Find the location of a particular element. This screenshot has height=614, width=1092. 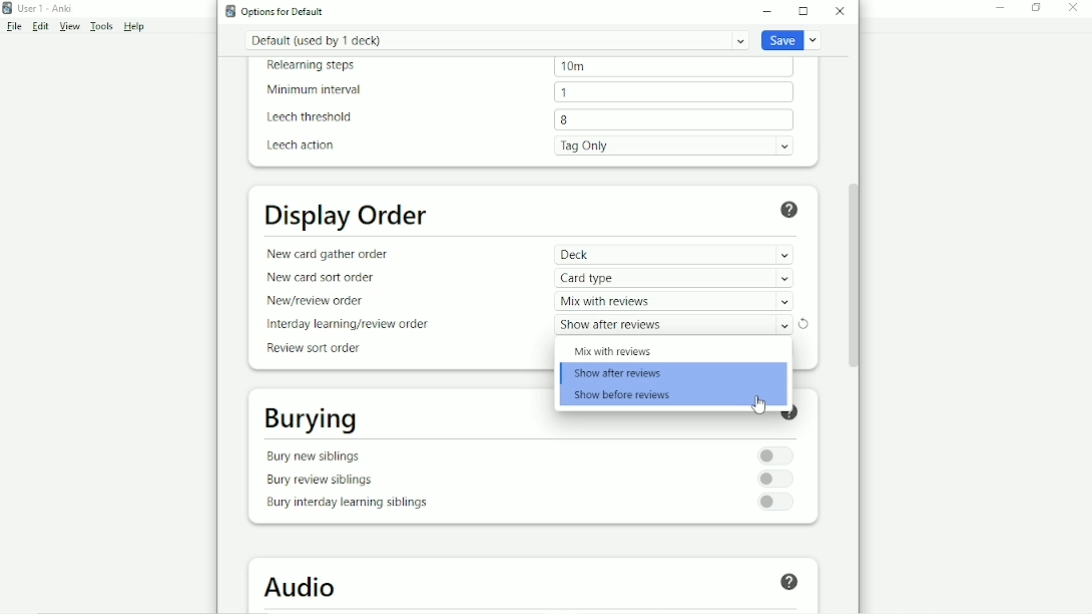

Vertical scrollbar is located at coordinates (851, 274).